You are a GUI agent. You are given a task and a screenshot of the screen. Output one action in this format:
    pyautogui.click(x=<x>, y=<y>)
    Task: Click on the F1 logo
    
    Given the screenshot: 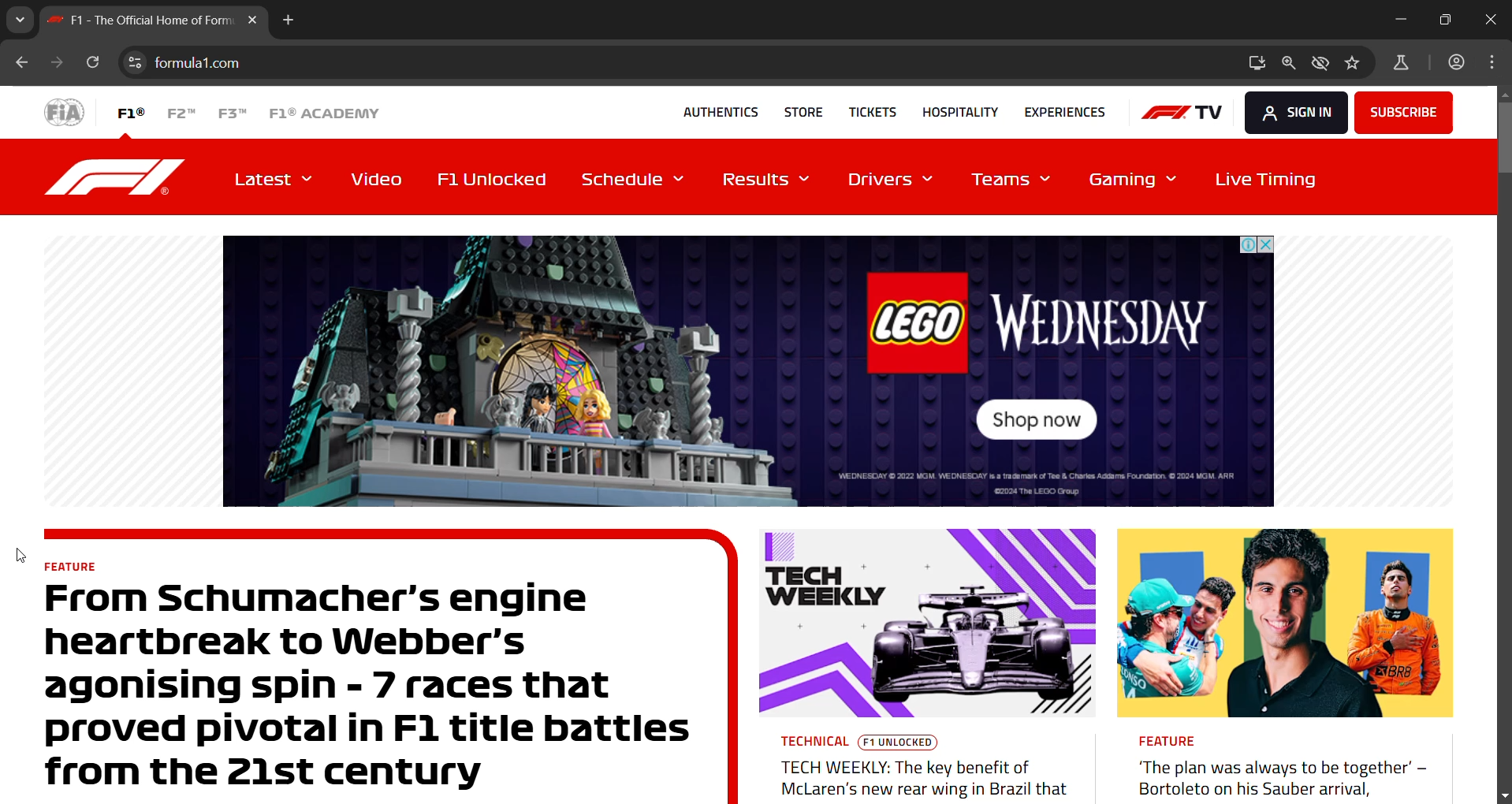 What is the action you would take?
    pyautogui.click(x=119, y=177)
    